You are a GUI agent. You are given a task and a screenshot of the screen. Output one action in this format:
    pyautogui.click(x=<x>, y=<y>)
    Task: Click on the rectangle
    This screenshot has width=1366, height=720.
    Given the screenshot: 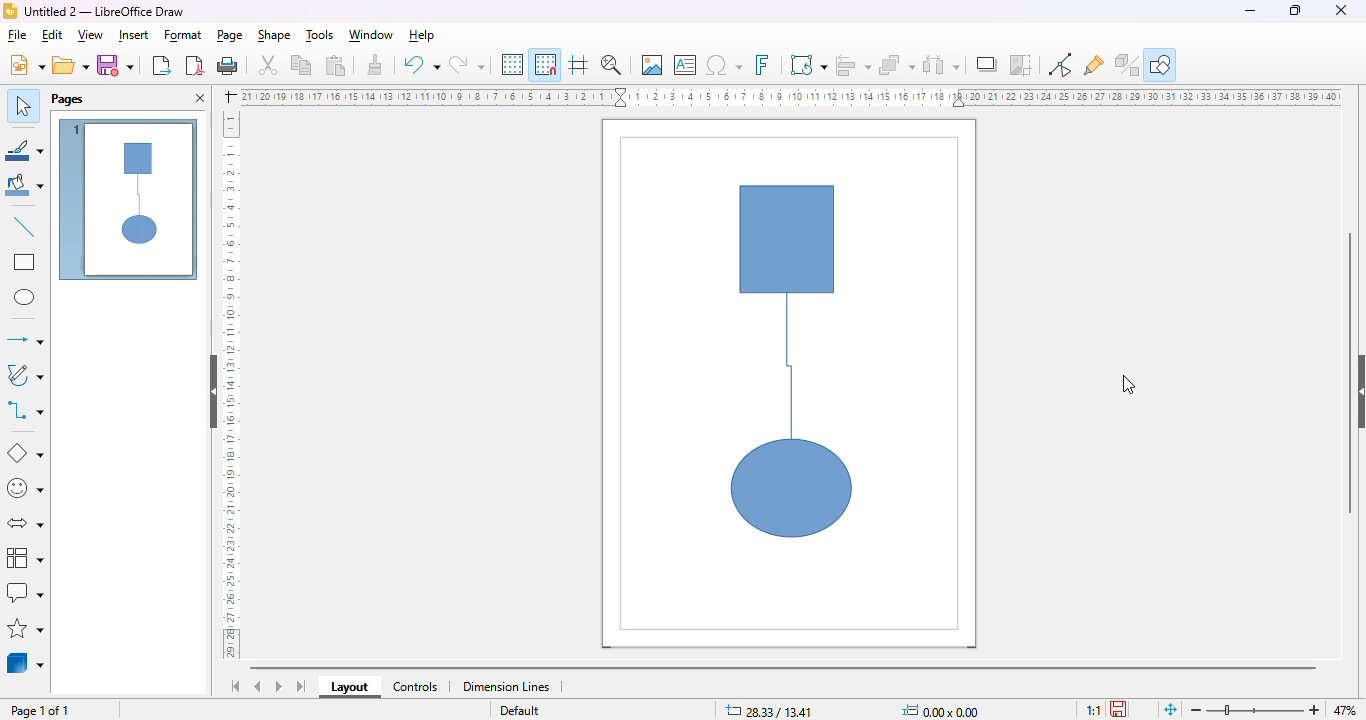 What is the action you would take?
    pyautogui.click(x=25, y=262)
    